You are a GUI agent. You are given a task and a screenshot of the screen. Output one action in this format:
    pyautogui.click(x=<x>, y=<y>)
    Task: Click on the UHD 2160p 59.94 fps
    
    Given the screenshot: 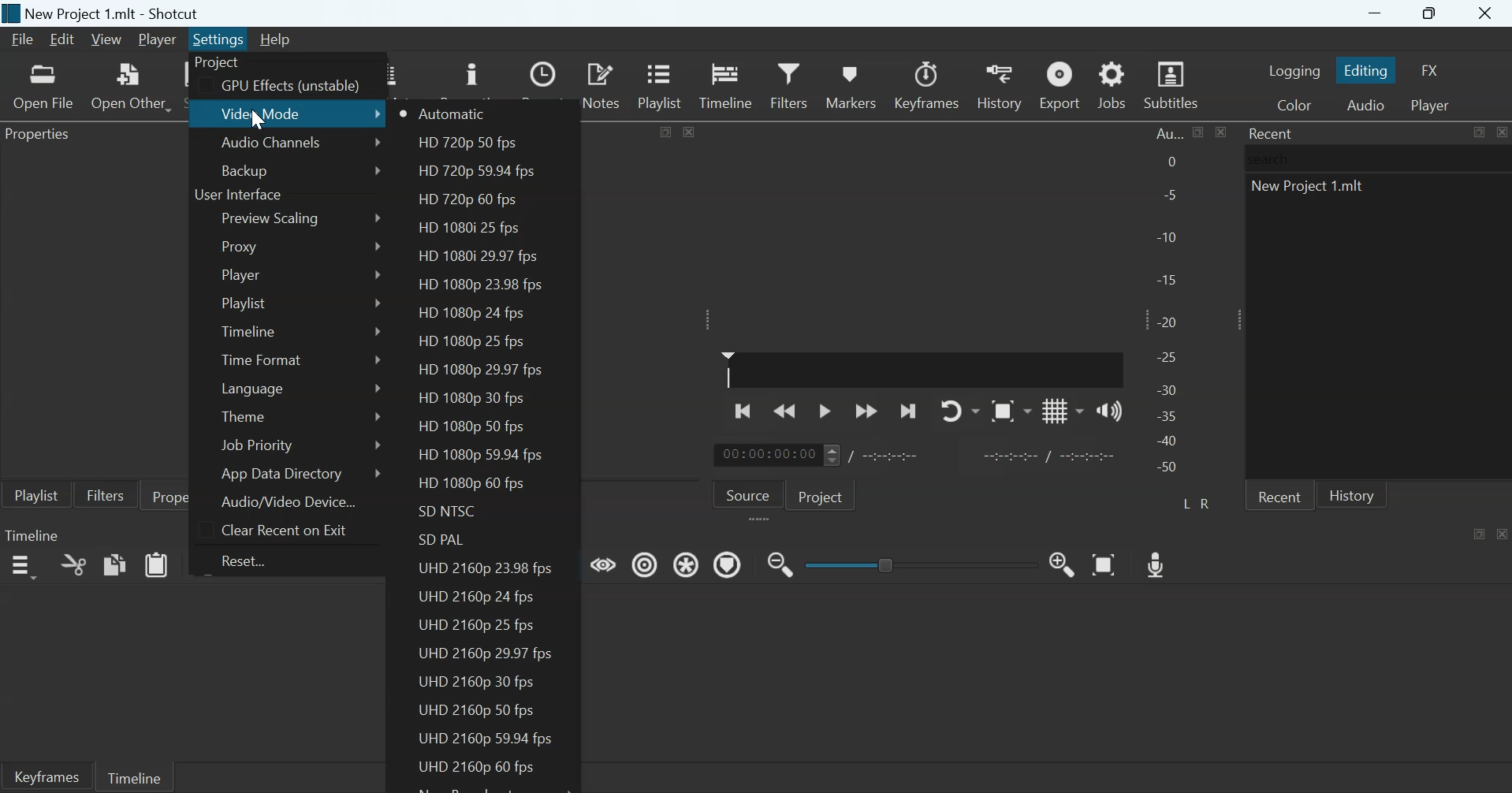 What is the action you would take?
    pyautogui.click(x=484, y=739)
    